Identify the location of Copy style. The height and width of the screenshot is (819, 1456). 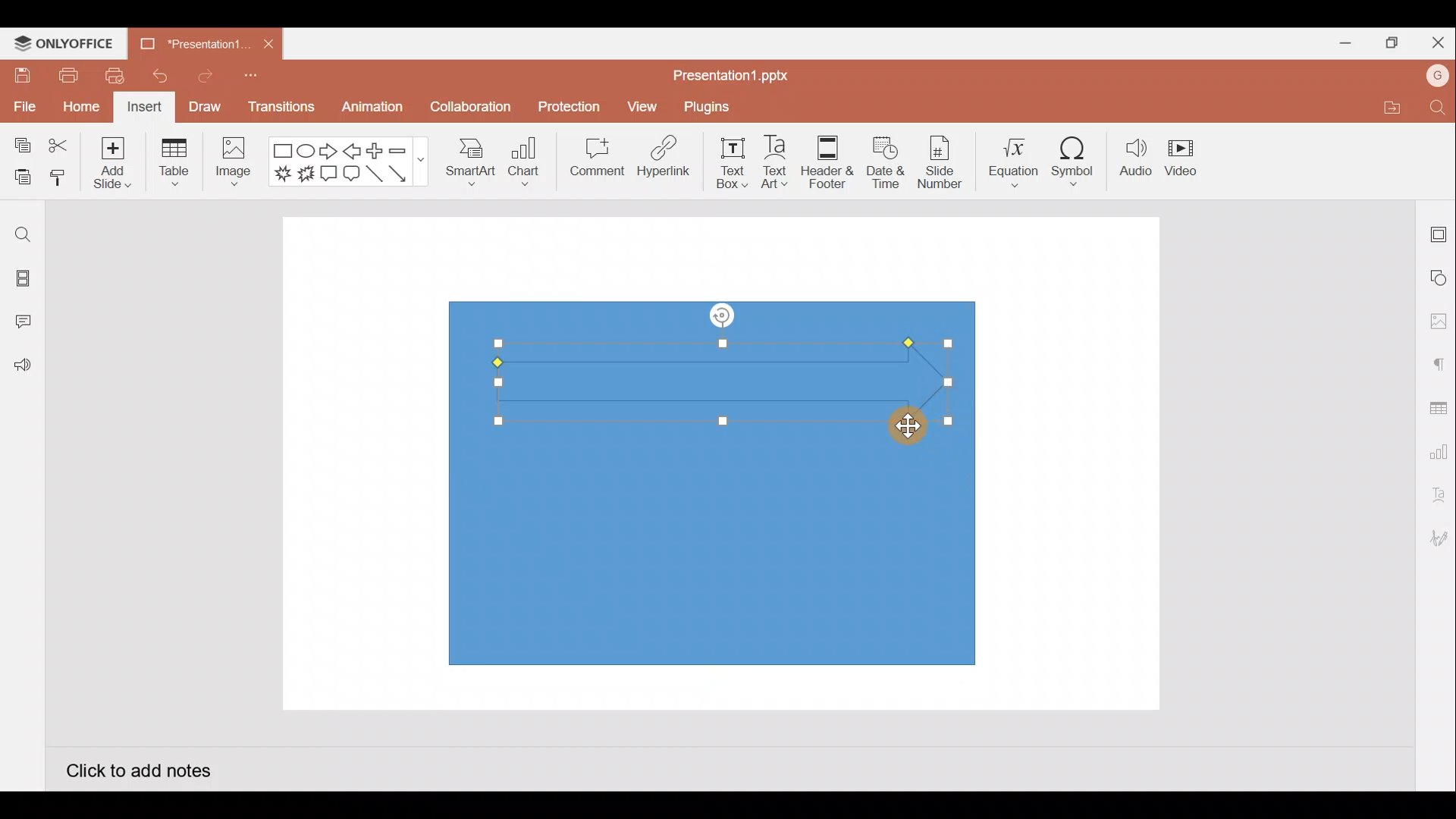
(59, 180).